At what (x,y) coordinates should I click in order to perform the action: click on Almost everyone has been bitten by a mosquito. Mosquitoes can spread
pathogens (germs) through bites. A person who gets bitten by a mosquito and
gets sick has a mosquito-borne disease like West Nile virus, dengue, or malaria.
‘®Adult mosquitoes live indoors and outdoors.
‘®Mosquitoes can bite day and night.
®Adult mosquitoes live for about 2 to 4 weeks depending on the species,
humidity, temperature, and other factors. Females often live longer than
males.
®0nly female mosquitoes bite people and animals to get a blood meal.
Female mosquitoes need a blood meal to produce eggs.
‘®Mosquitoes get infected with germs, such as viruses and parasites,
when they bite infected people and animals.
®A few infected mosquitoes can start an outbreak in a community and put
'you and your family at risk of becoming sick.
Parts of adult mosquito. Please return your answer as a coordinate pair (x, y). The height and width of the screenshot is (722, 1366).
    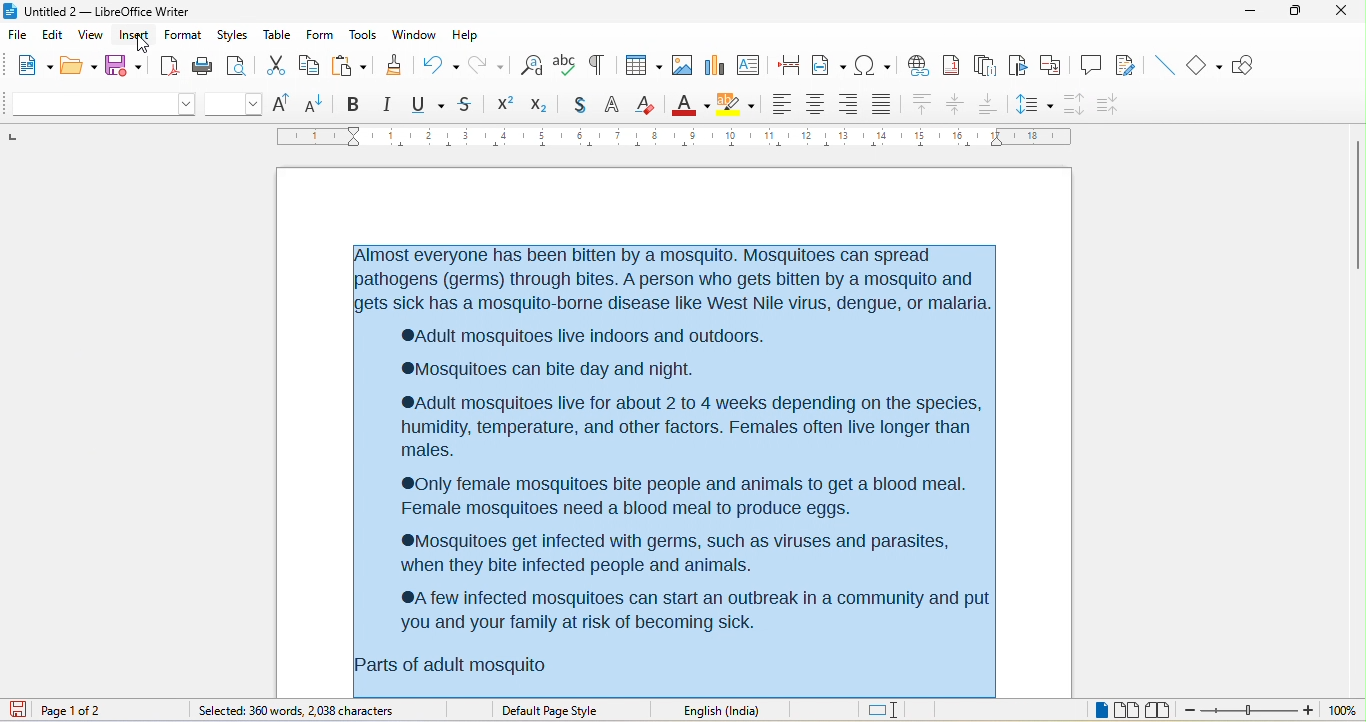
    Looking at the image, I should click on (671, 457).